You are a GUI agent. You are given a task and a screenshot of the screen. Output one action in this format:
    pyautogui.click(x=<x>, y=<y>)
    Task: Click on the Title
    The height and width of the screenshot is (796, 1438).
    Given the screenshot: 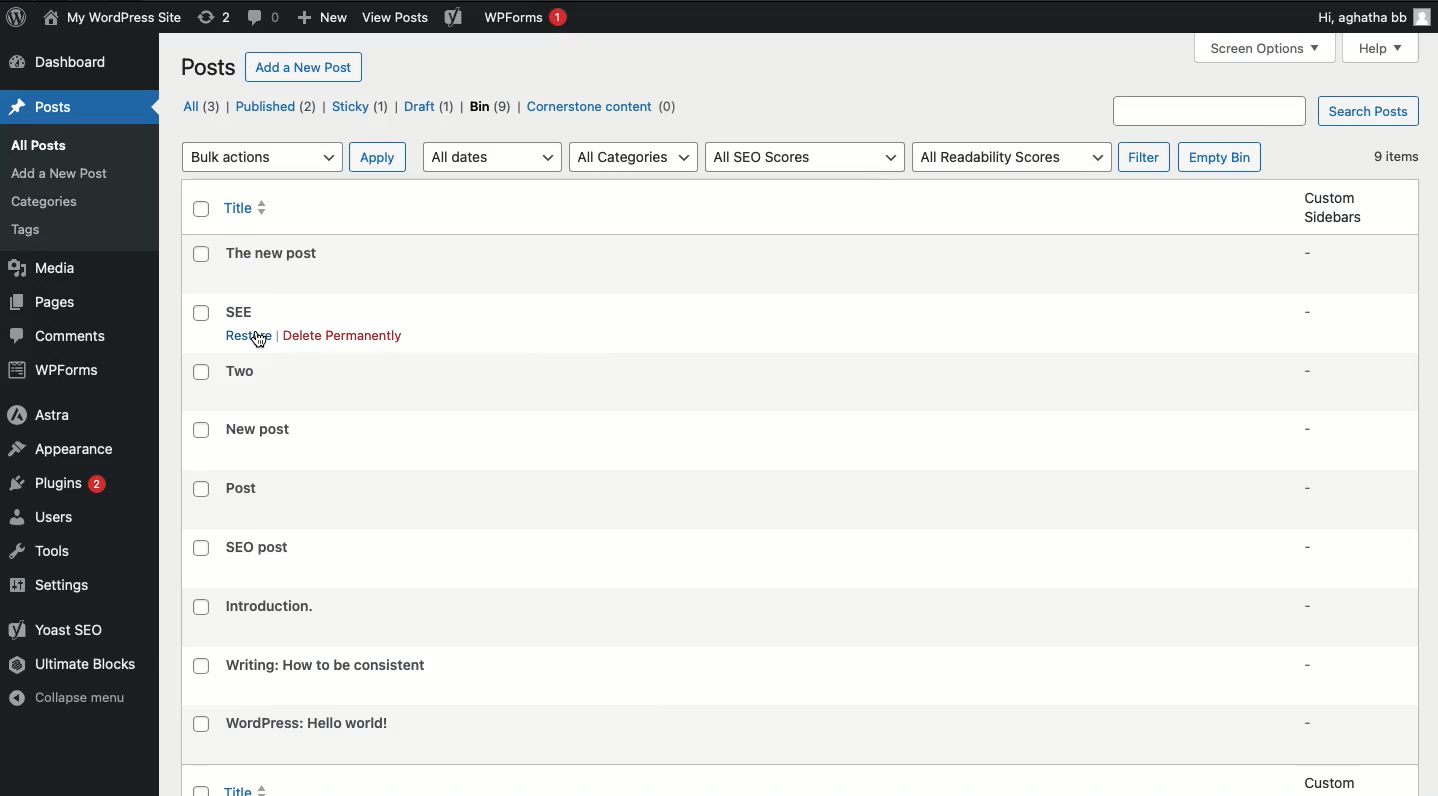 What is the action you would take?
    pyautogui.click(x=258, y=547)
    